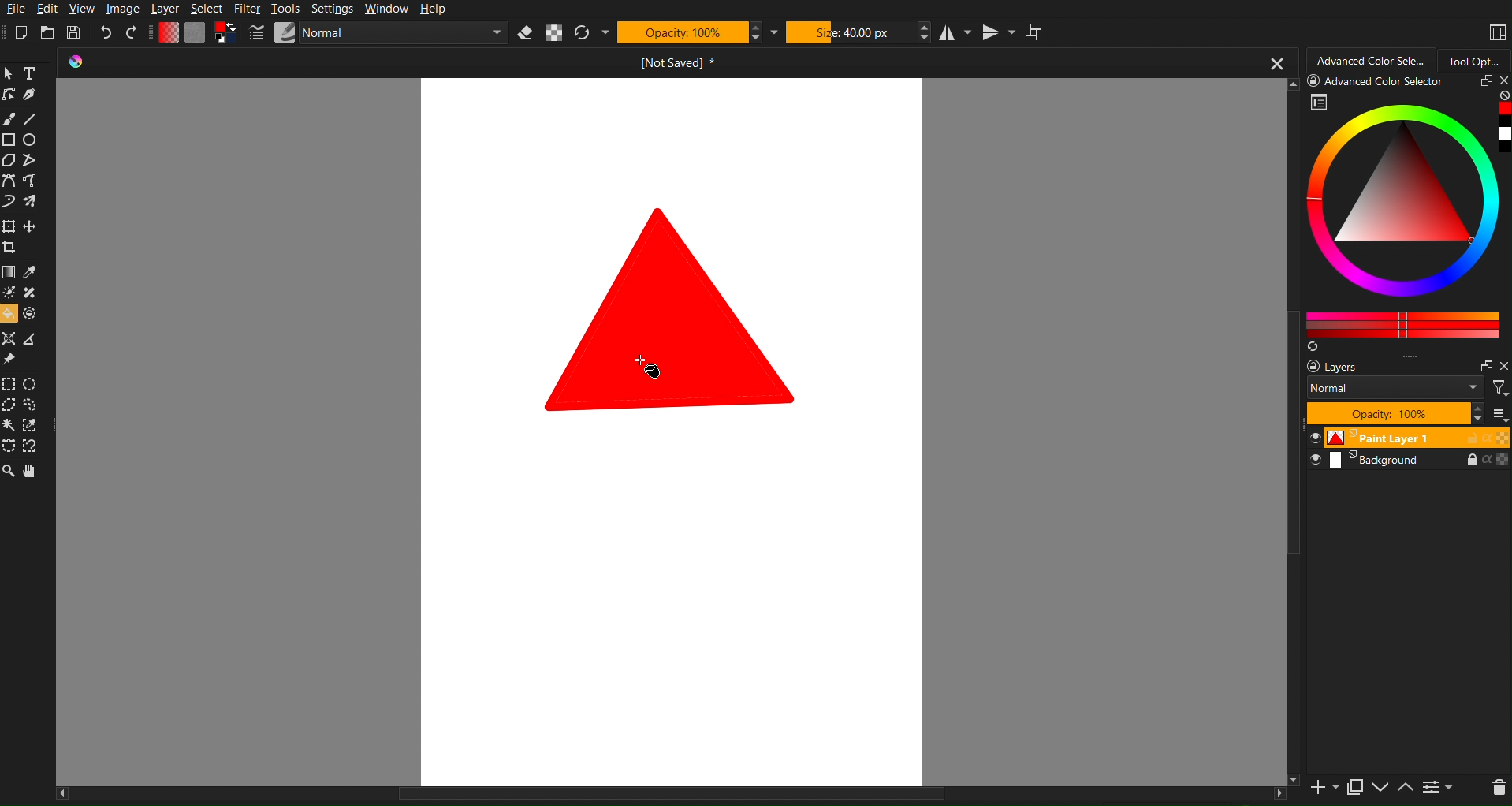 The height and width of the screenshot is (806, 1512). What do you see at coordinates (106, 33) in the screenshot?
I see `Undo` at bounding box center [106, 33].